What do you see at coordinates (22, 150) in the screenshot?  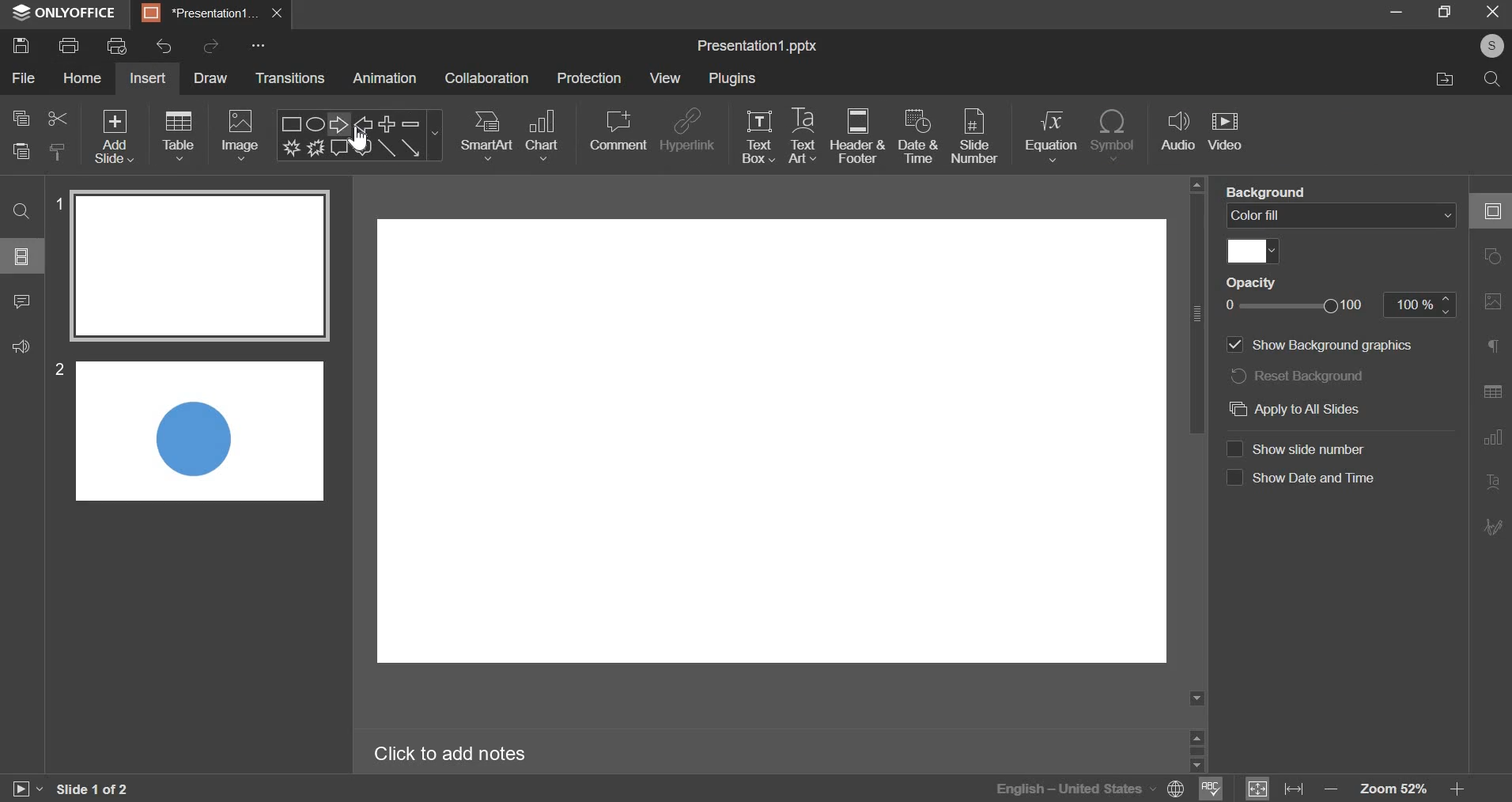 I see `paste` at bounding box center [22, 150].